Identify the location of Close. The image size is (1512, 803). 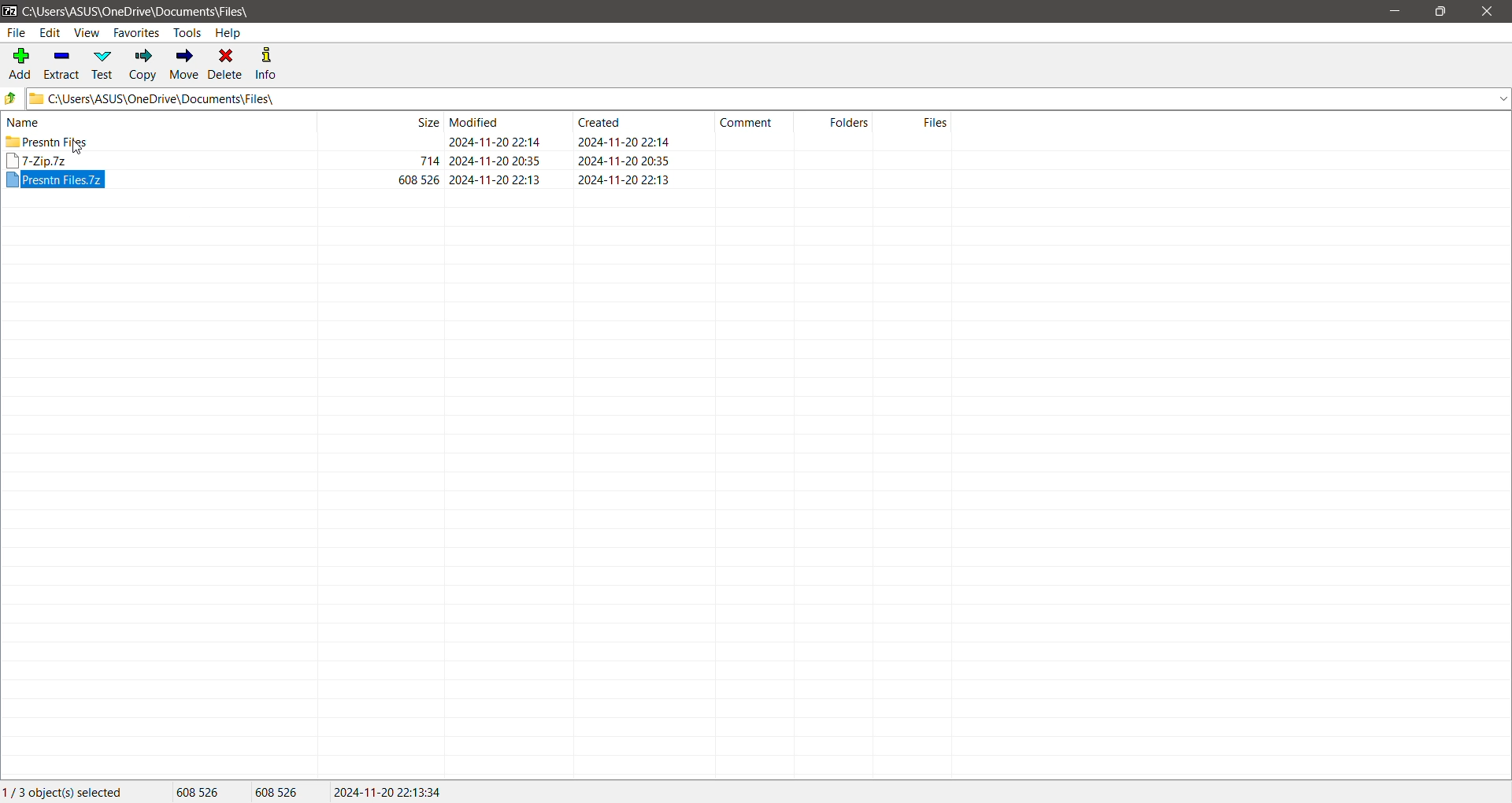
(1490, 12).